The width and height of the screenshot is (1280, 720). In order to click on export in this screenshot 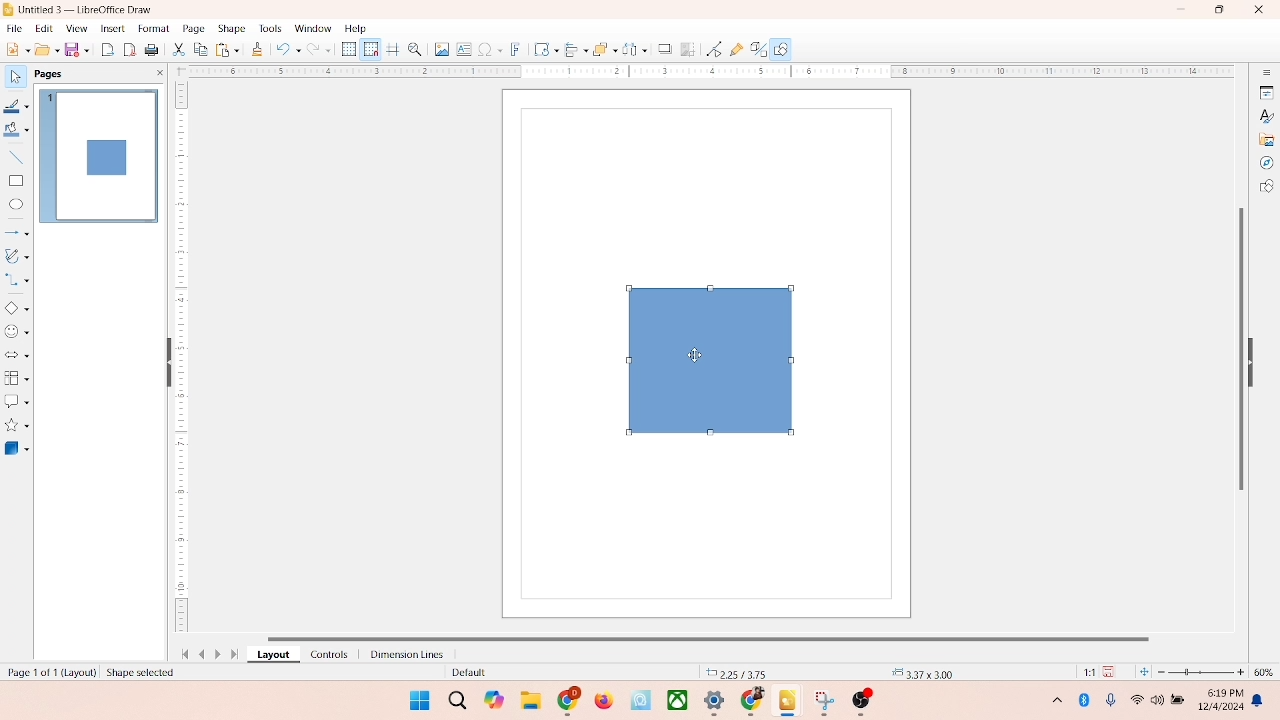, I will do `click(110, 48)`.